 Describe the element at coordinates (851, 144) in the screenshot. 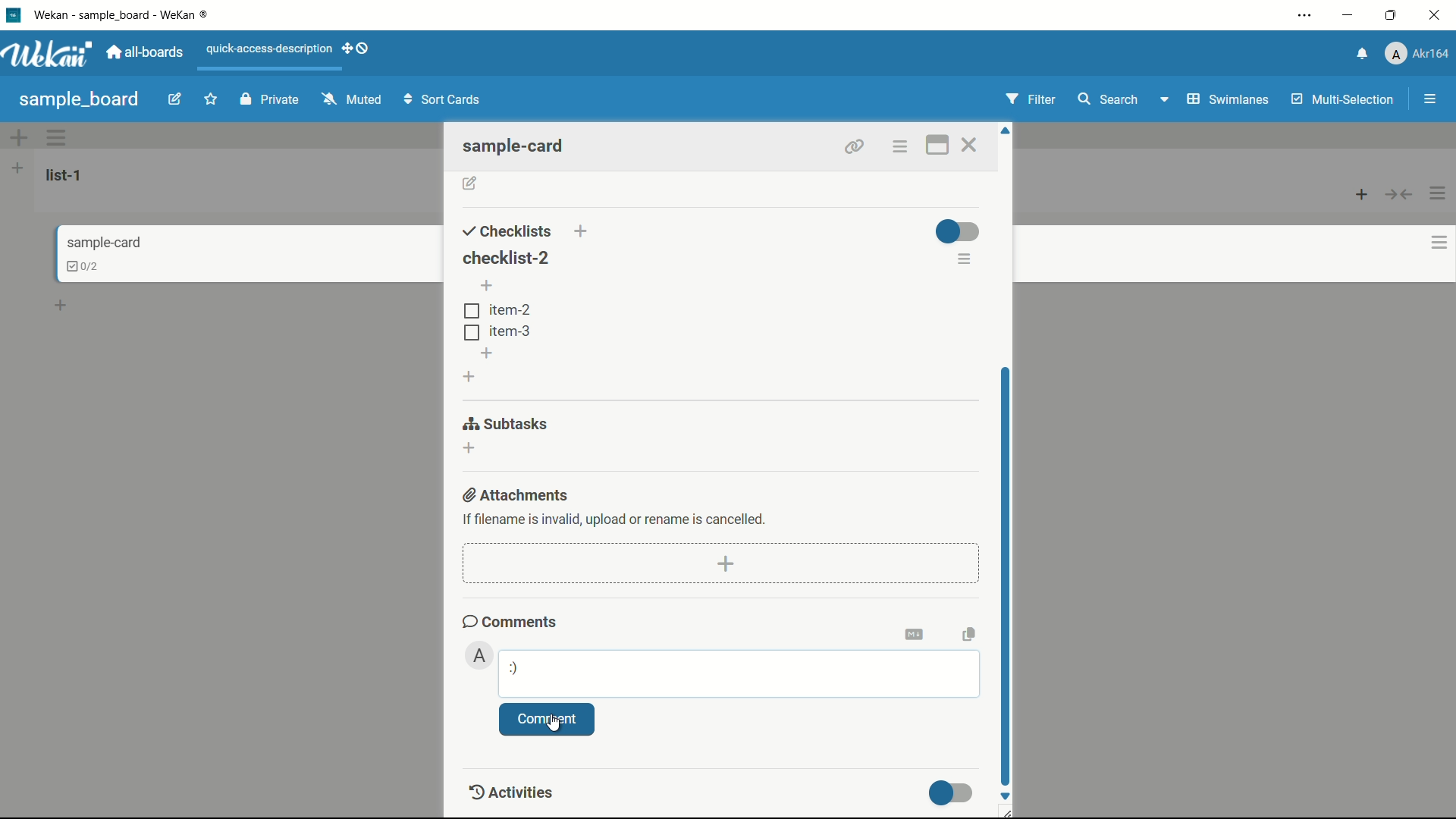

I see `link` at that location.